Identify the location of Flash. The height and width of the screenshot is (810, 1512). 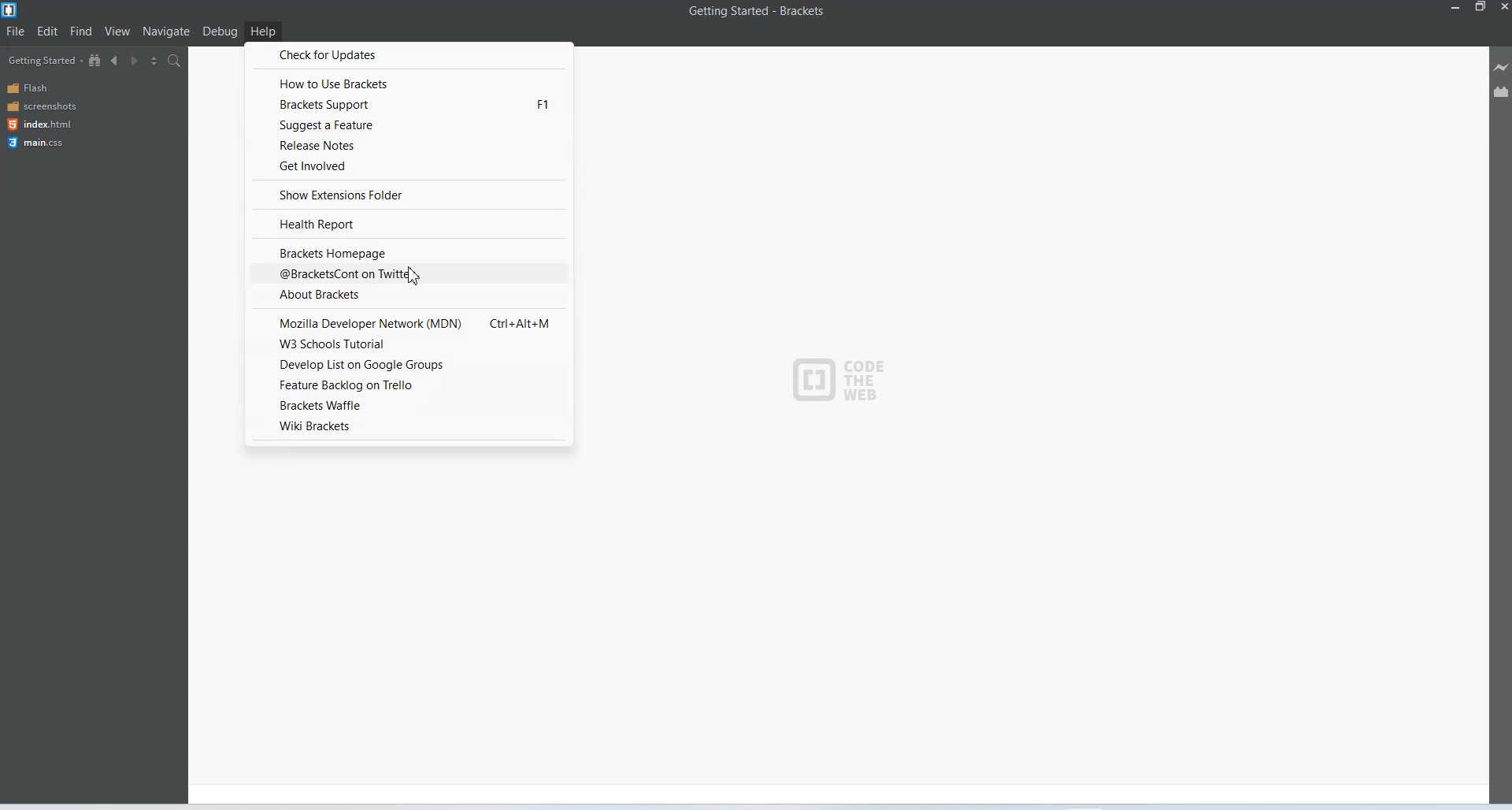
(43, 88).